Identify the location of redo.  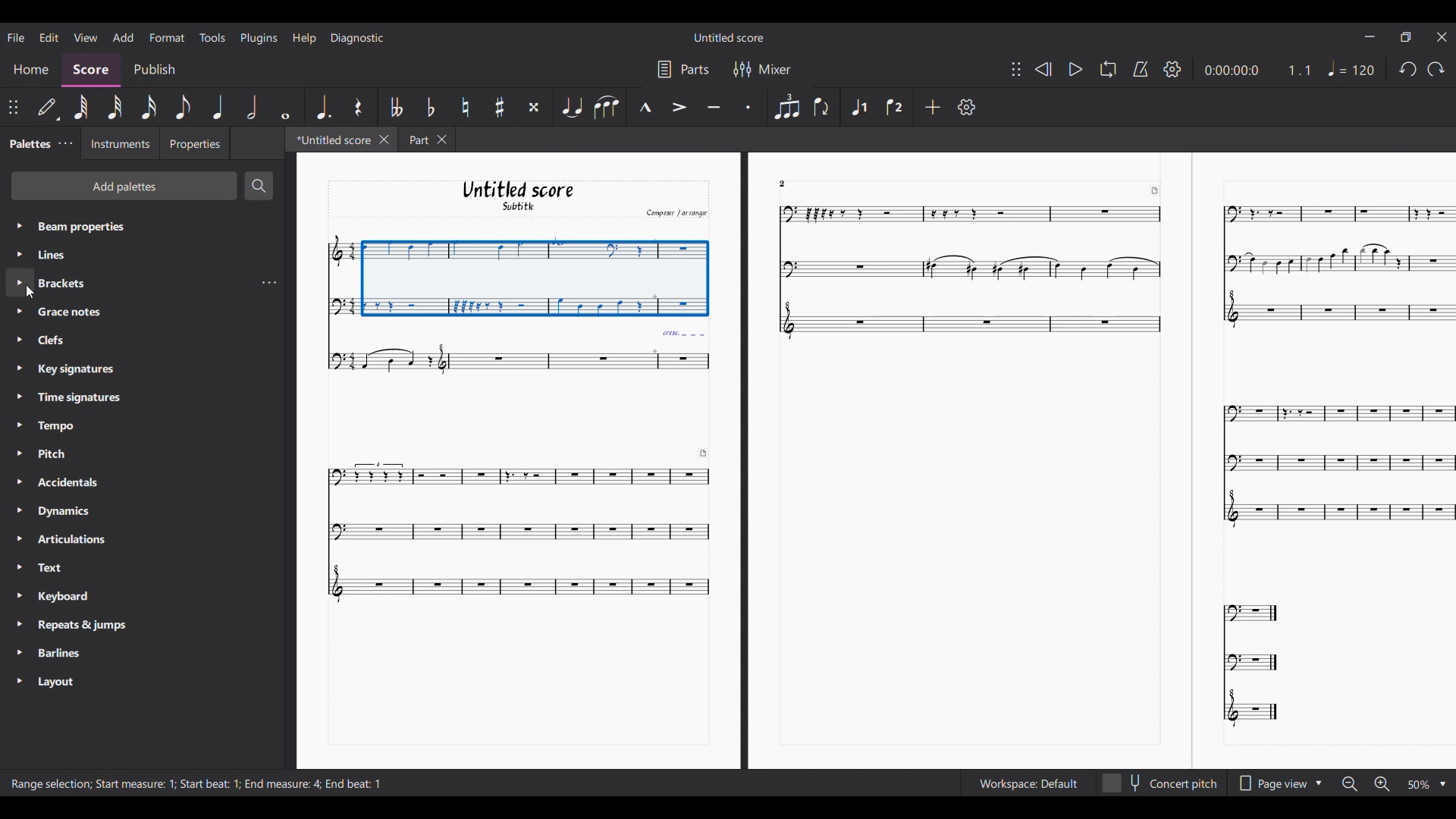
(1406, 73).